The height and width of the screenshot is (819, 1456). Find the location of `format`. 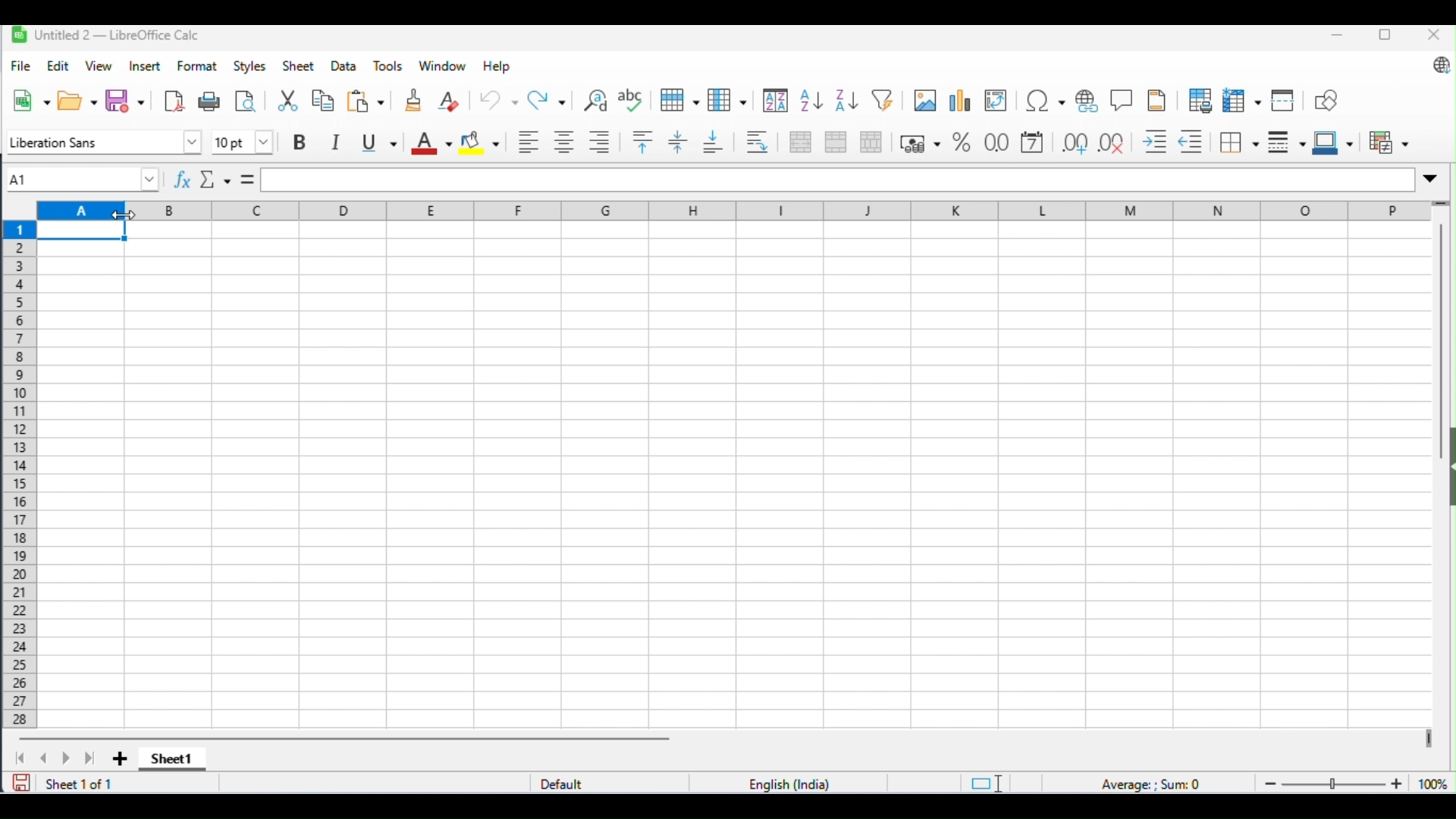

format is located at coordinates (197, 65).